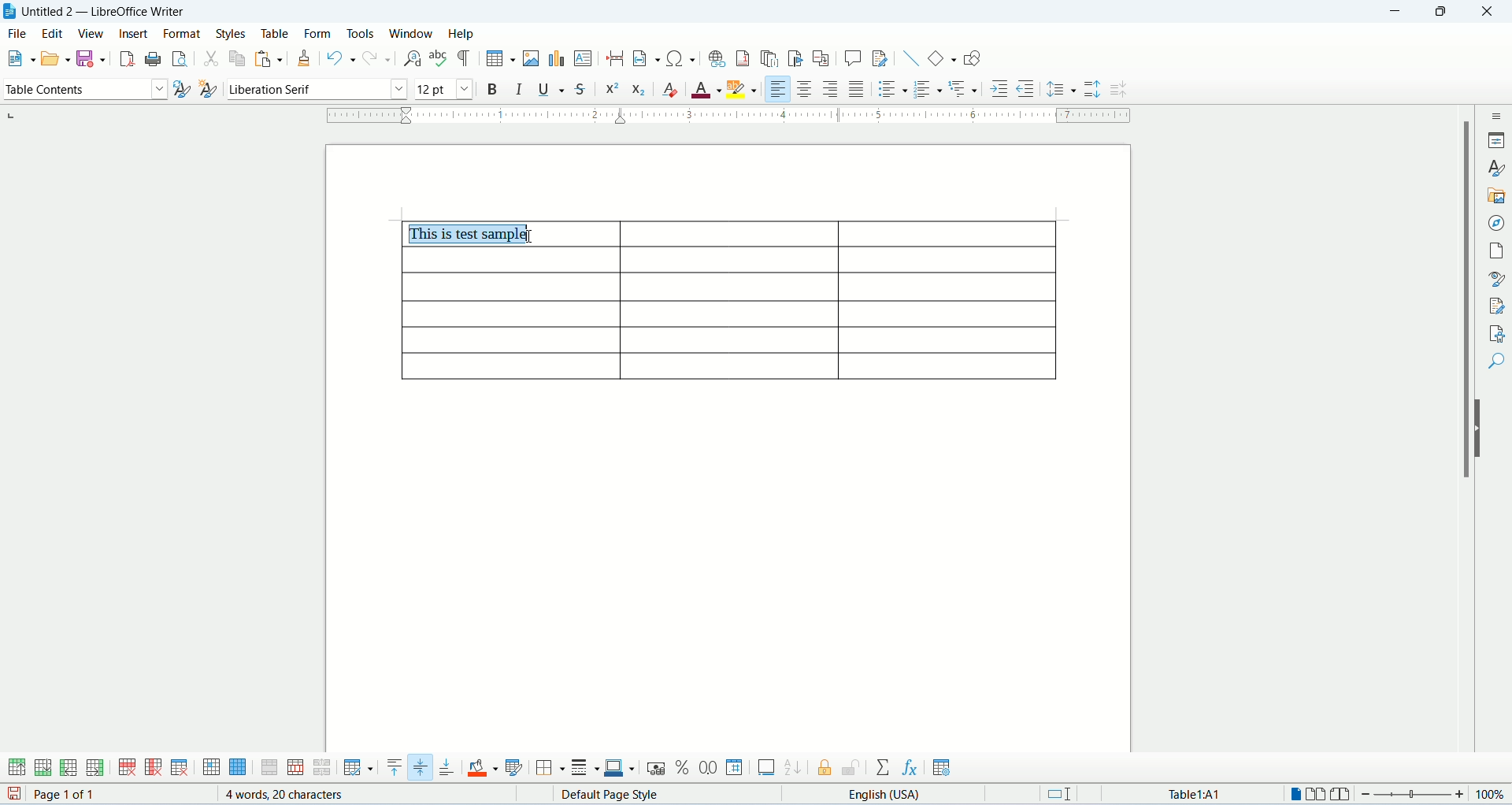 The height and width of the screenshot is (805, 1512). Describe the element at coordinates (859, 87) in the screenshot. I see `justified` at that location.